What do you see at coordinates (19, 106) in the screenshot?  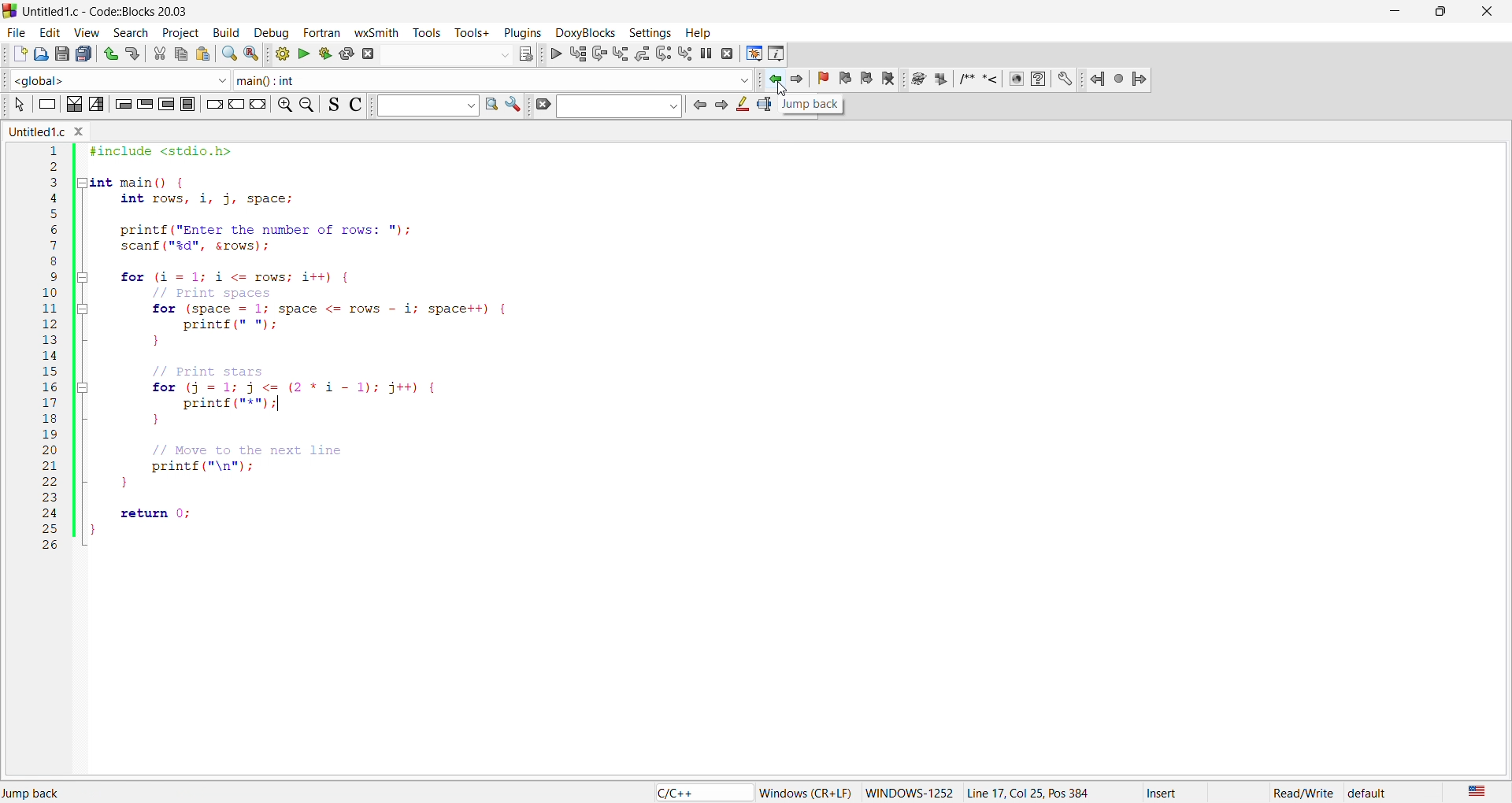 I see `icon` at bounding box center [19, 106].